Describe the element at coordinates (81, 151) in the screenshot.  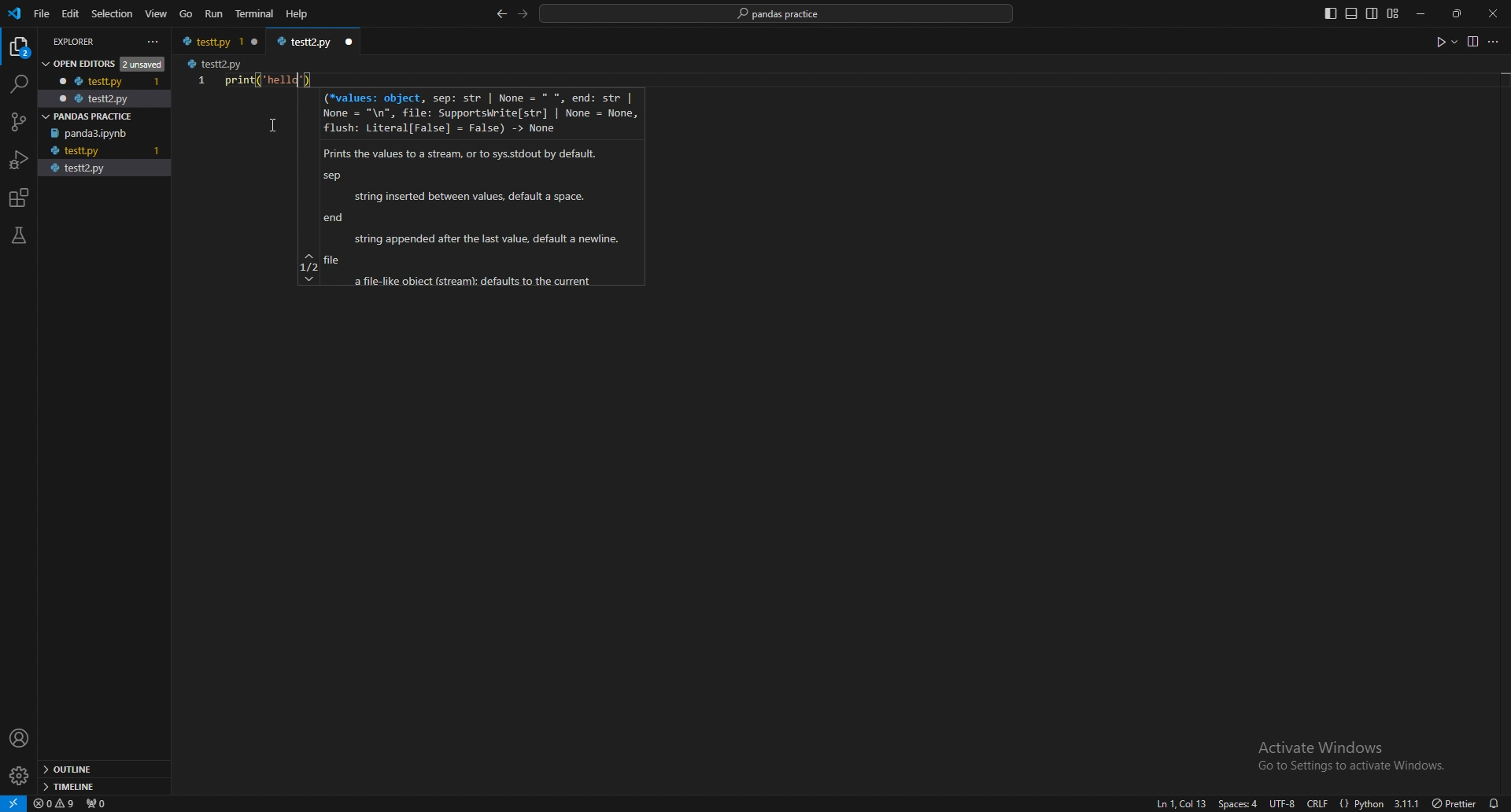
I see `testt.py` at that location.